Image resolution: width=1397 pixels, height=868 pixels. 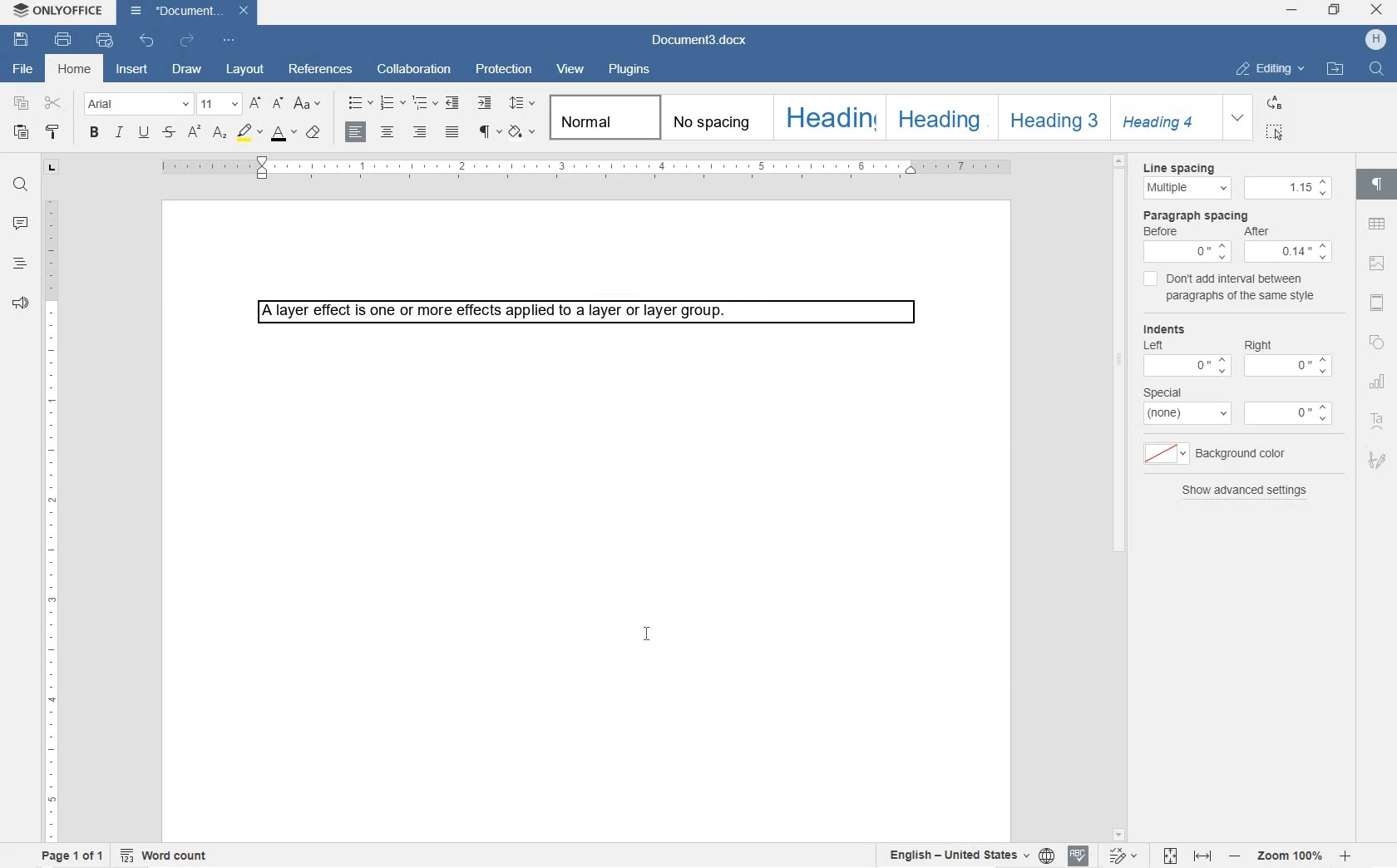 I want to click on COMMENTS, so click(x=18, y=224).